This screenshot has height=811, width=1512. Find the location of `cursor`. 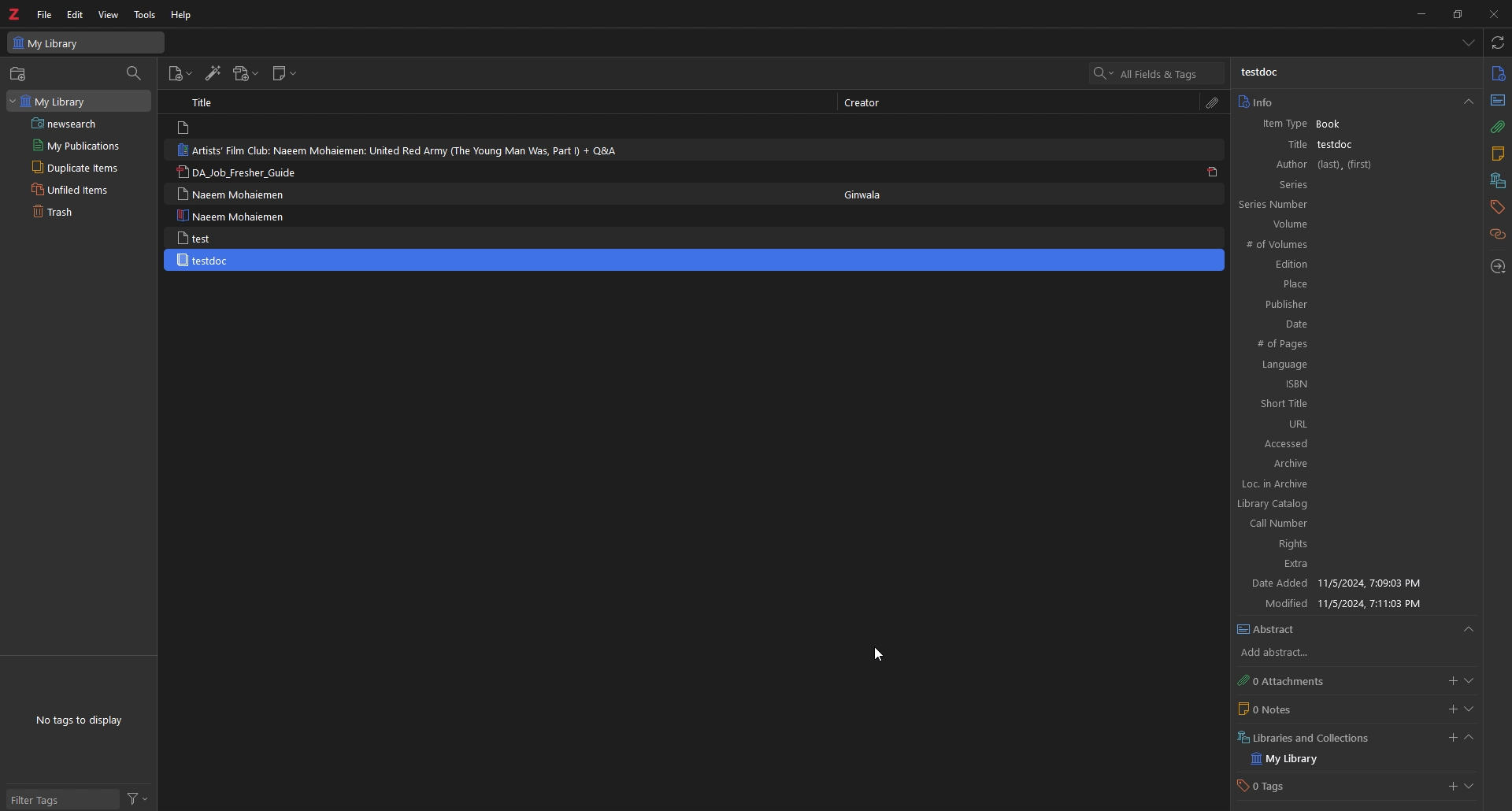

cursor is located at coordinates (878, 656).